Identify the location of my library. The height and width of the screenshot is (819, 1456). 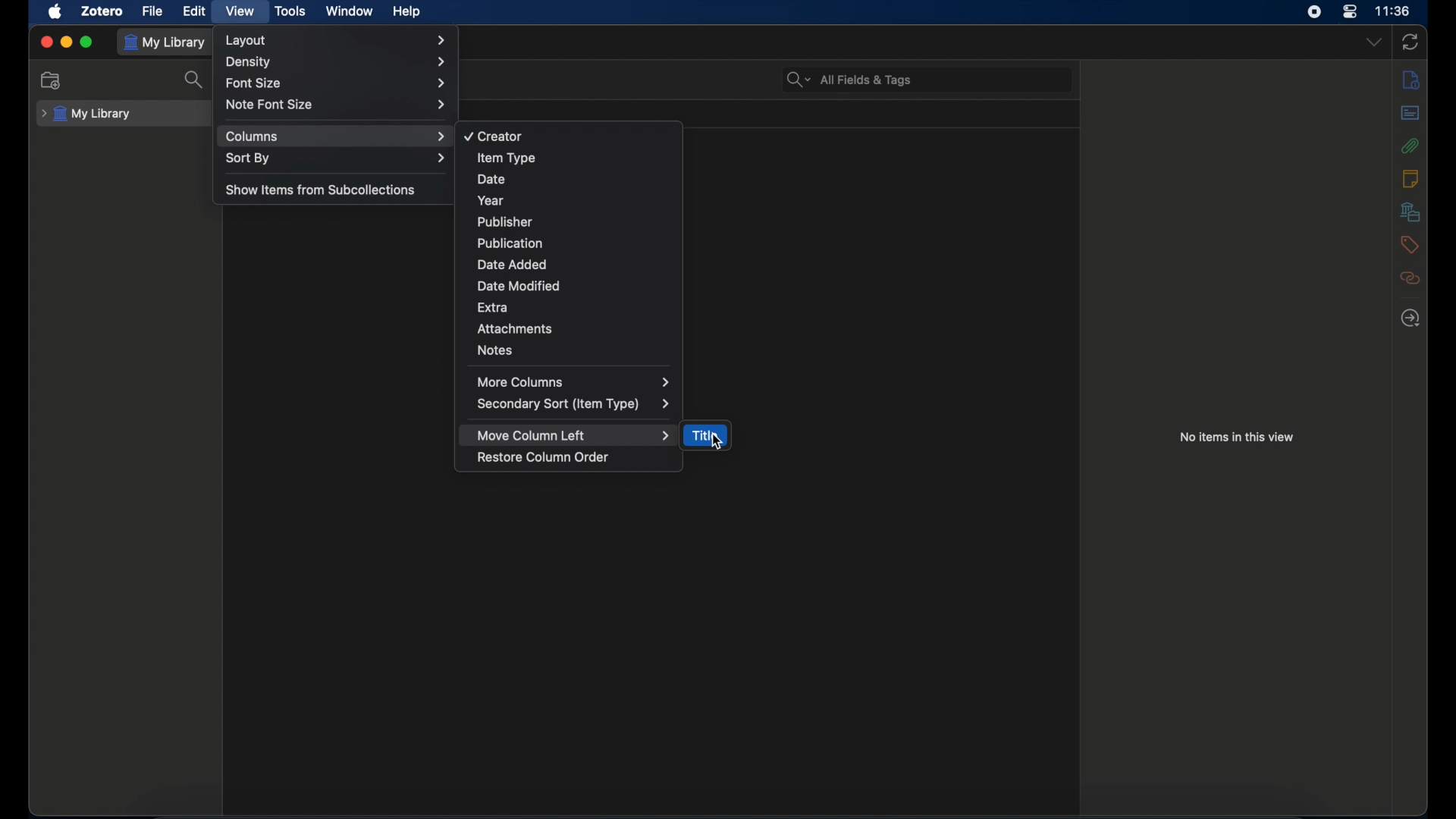
(165, 43).